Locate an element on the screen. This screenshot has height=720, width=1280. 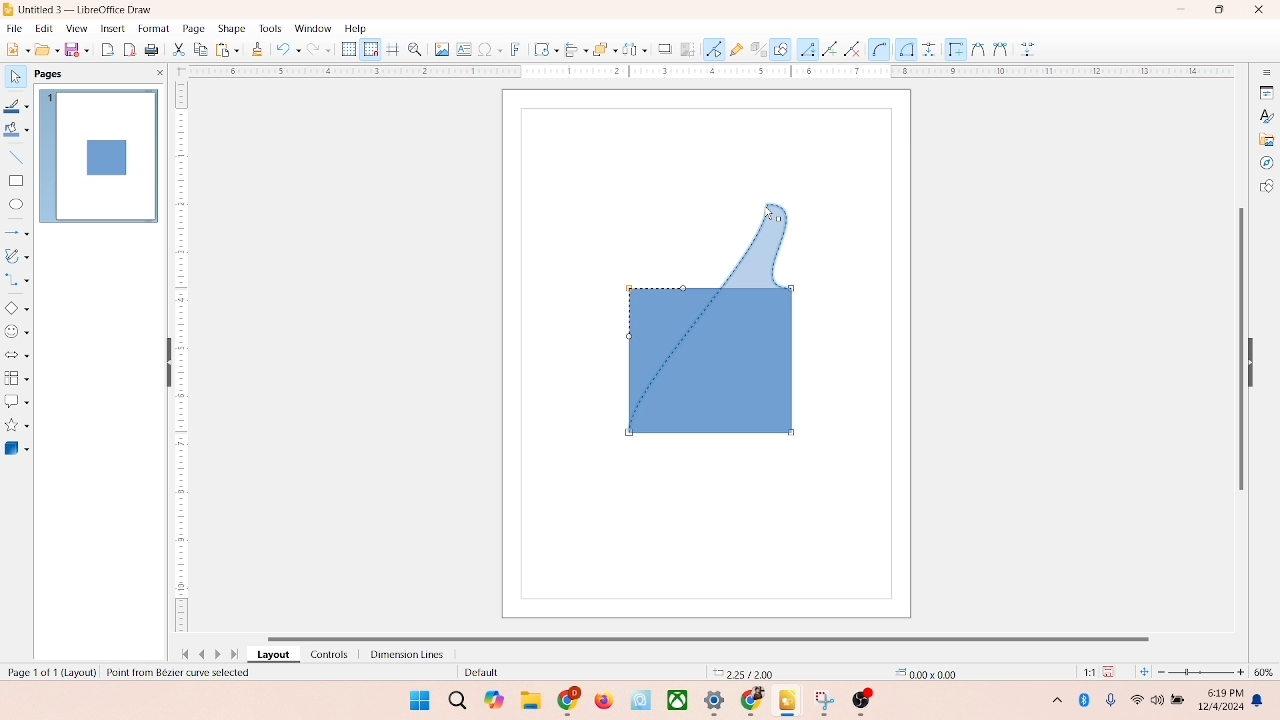
image is located at coordinates (439, 49).